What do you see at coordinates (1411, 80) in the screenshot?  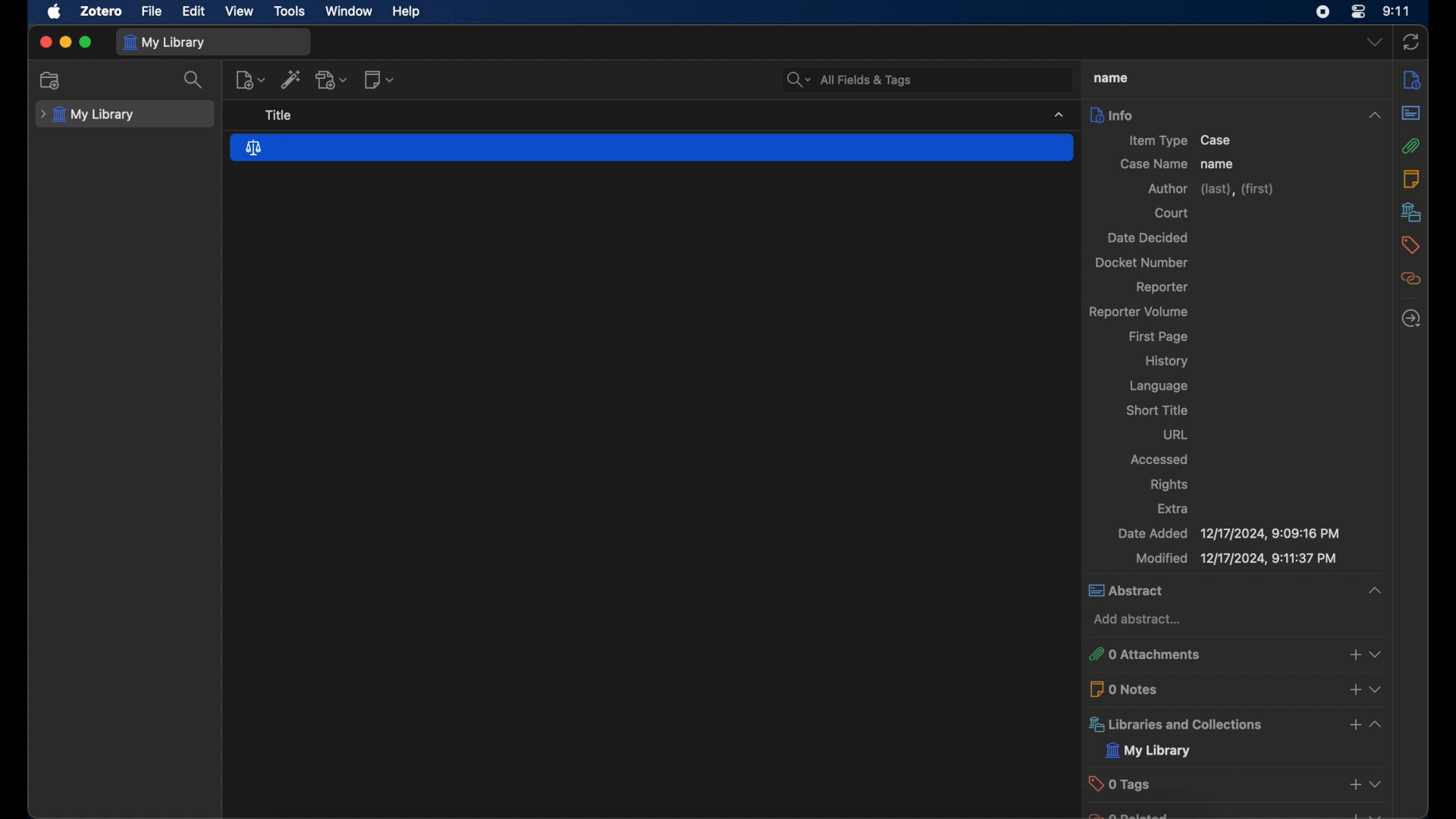 I see `info` at bounding box center [1411, 80].